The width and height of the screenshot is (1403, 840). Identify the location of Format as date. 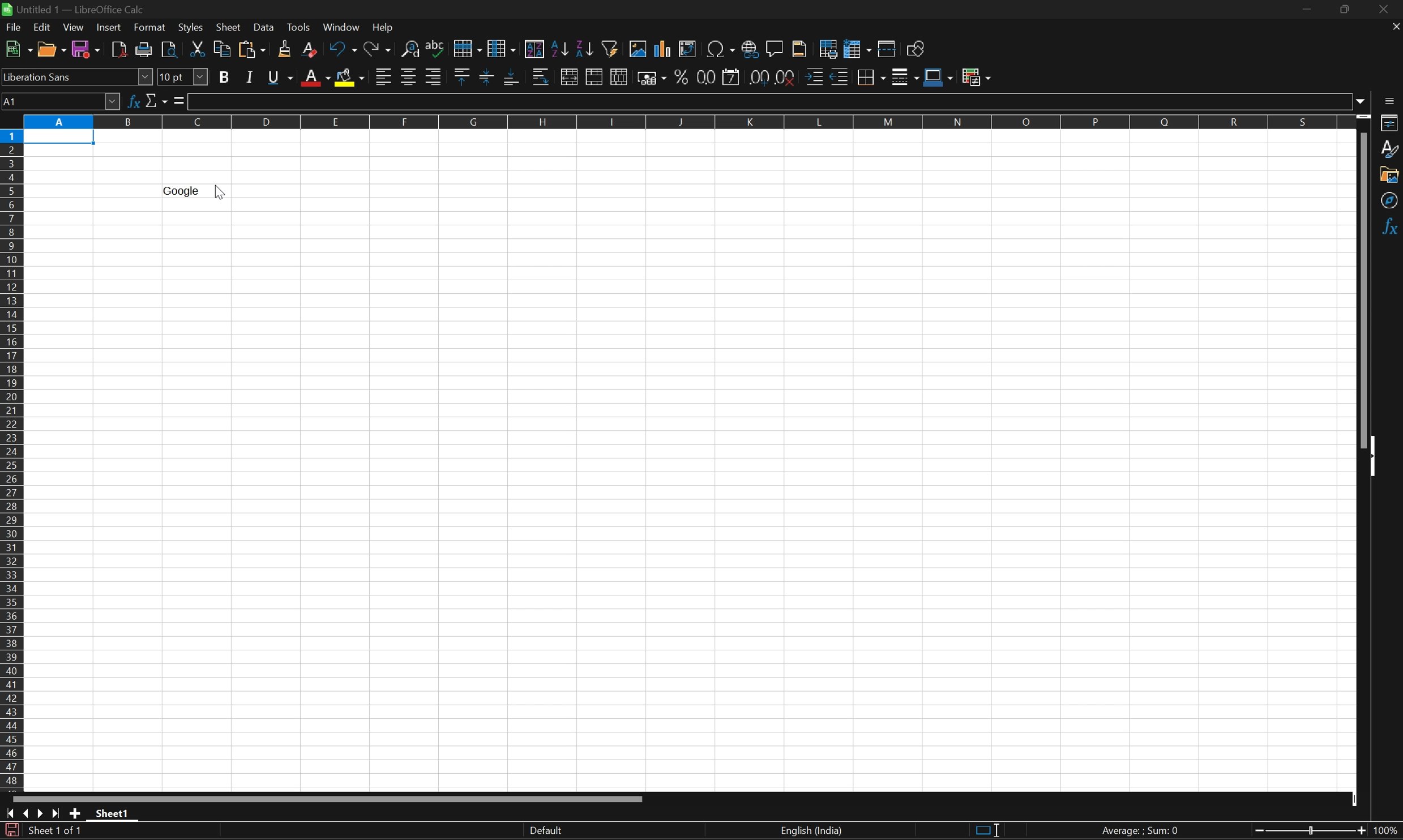
(732, 78).